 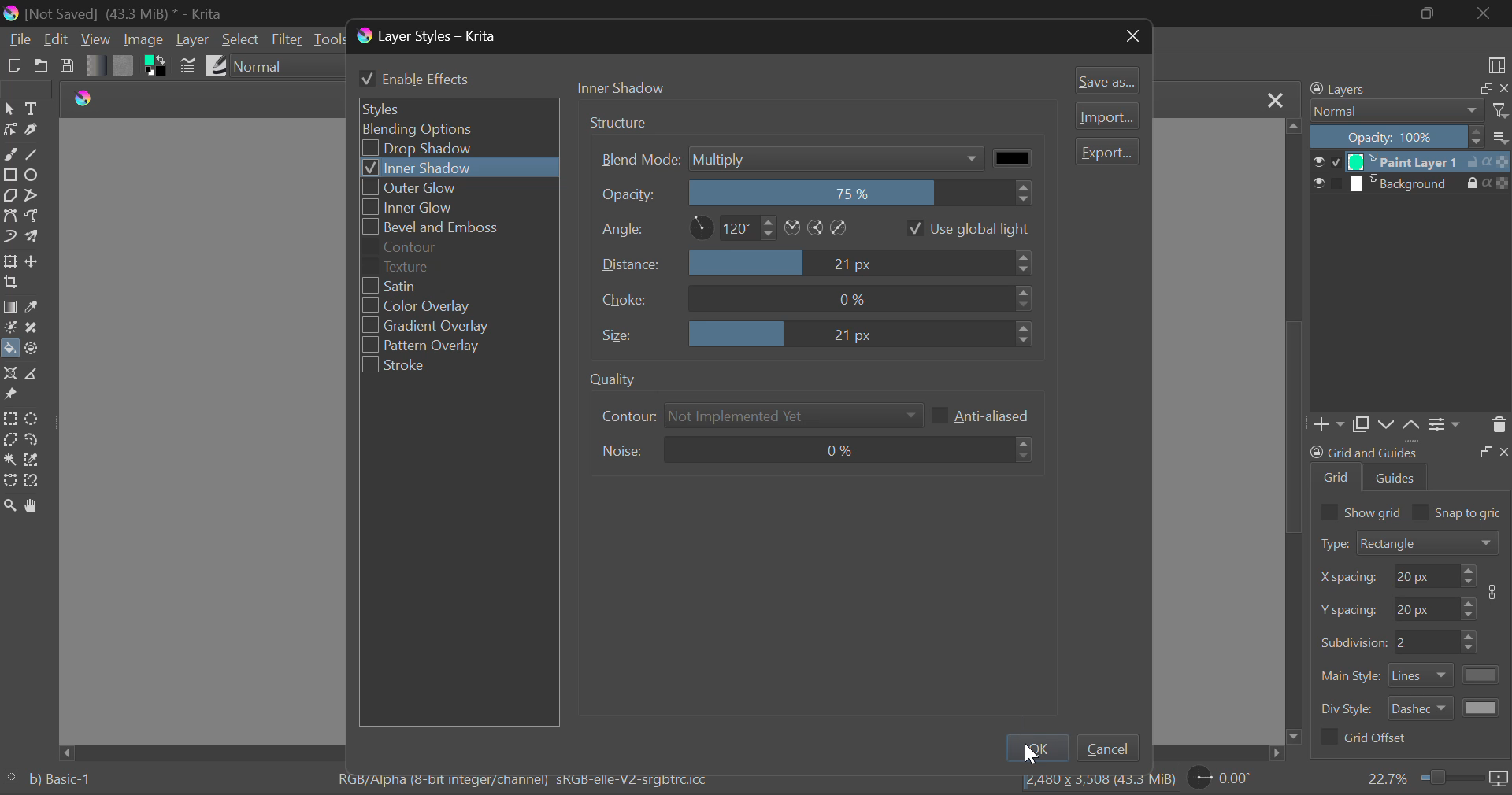 I want to click on Eyedropper, so click(x=35, y=306).